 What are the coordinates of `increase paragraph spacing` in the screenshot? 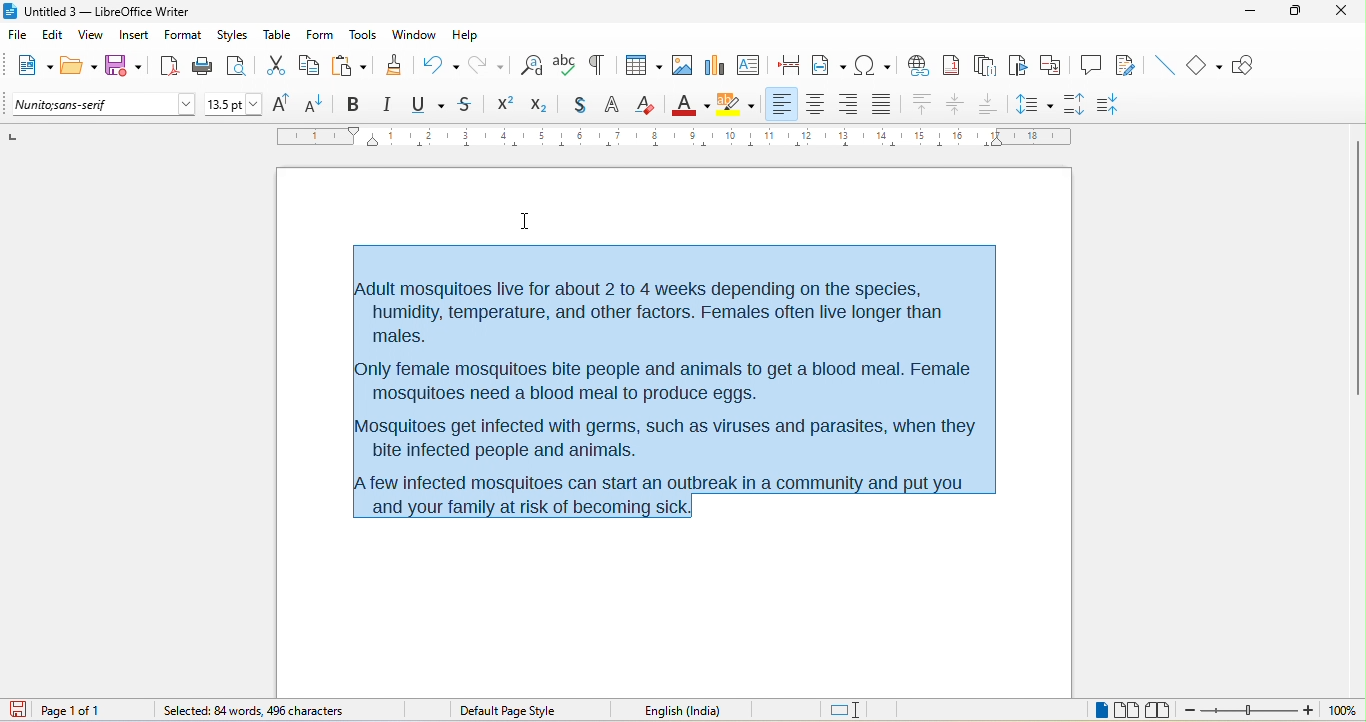 It's located at (1073, 102).